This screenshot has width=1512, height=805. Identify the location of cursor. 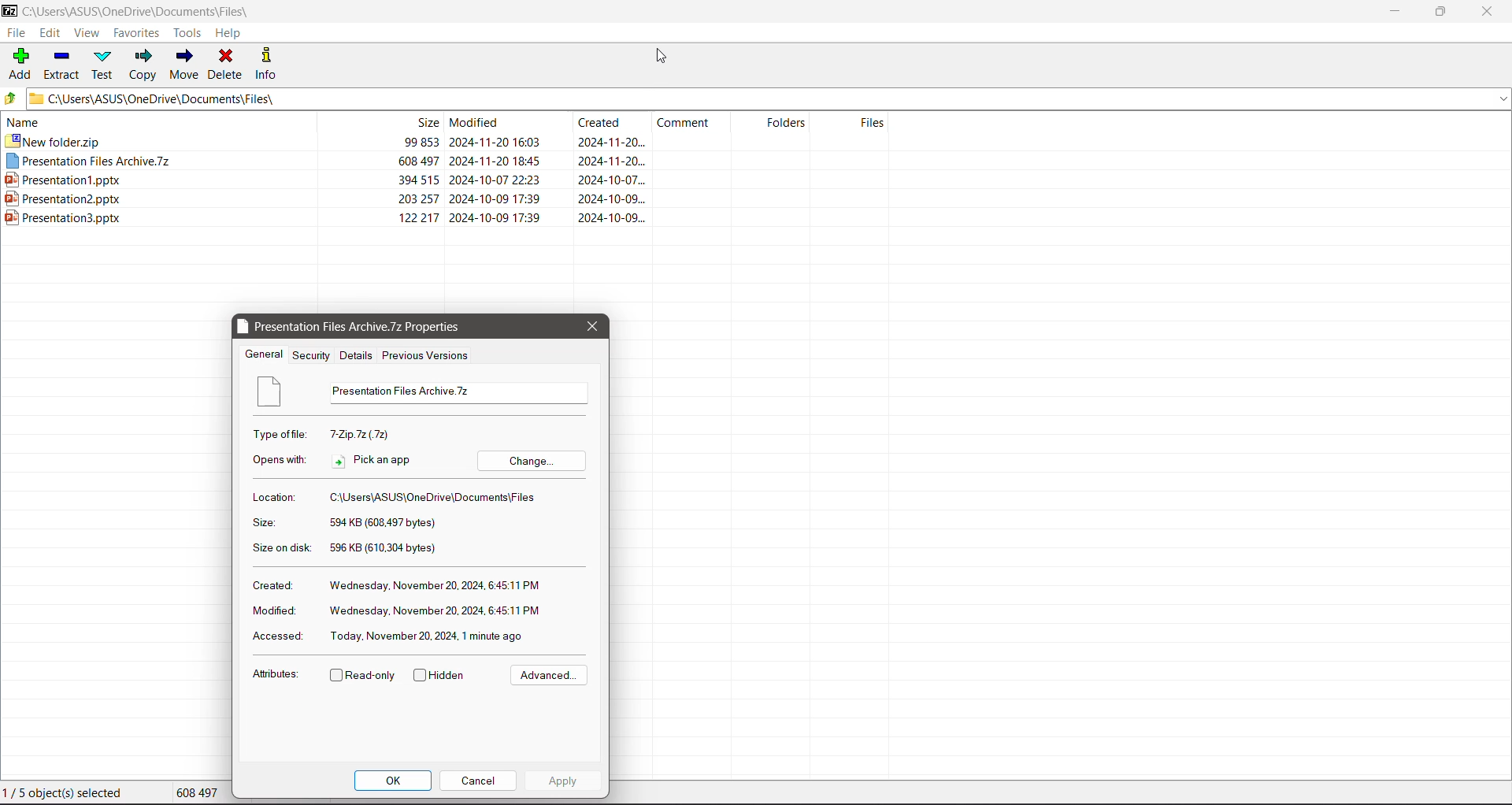
(662, 54).